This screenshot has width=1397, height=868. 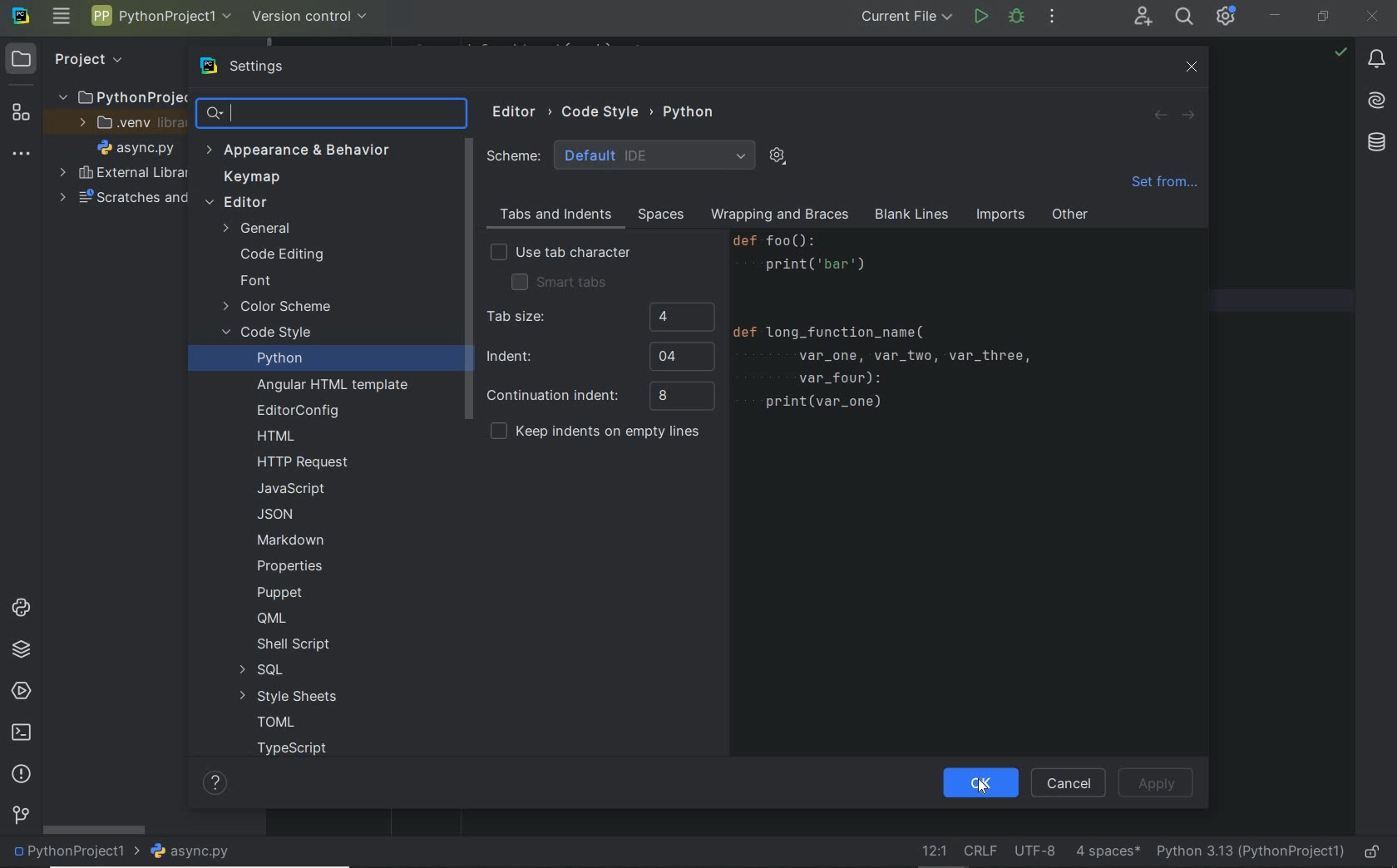 I want to click on python, so click(x=279, y=358).